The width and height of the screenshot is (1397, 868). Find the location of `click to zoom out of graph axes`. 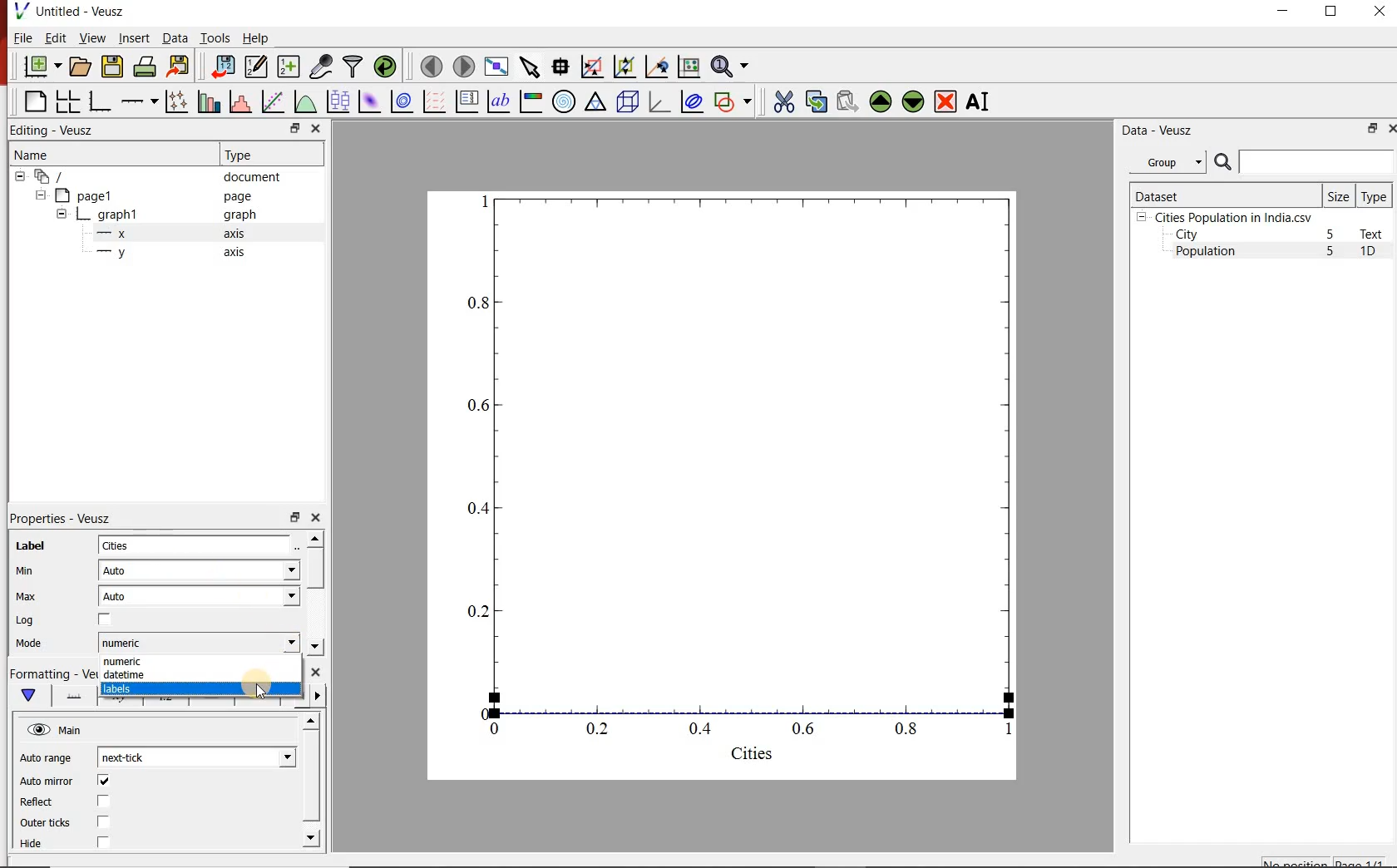

click to zoom out of graph axes is located at coordinates (622, 68).